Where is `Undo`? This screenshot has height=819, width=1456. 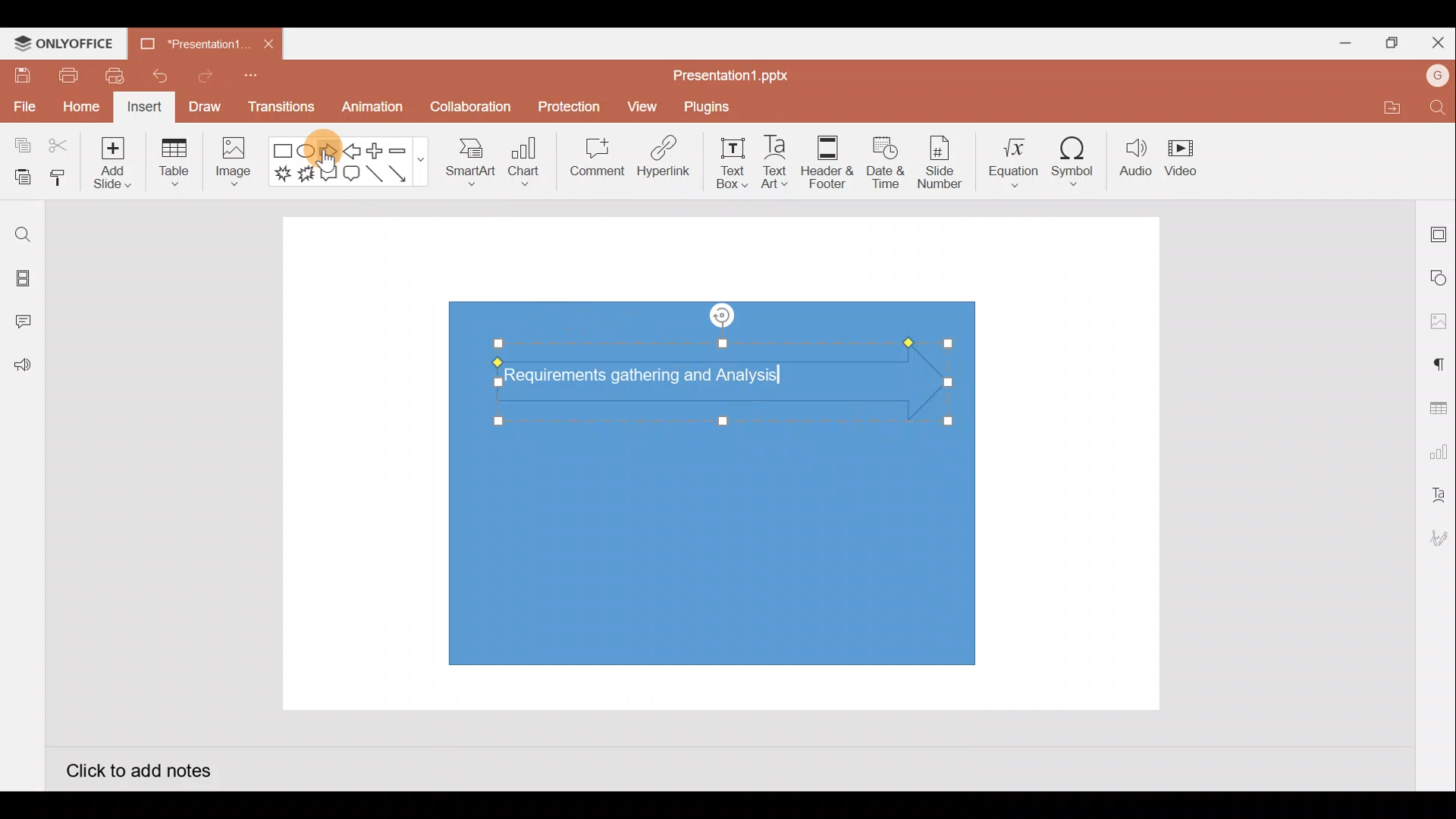
Undo is located at coordinates (154, 76).